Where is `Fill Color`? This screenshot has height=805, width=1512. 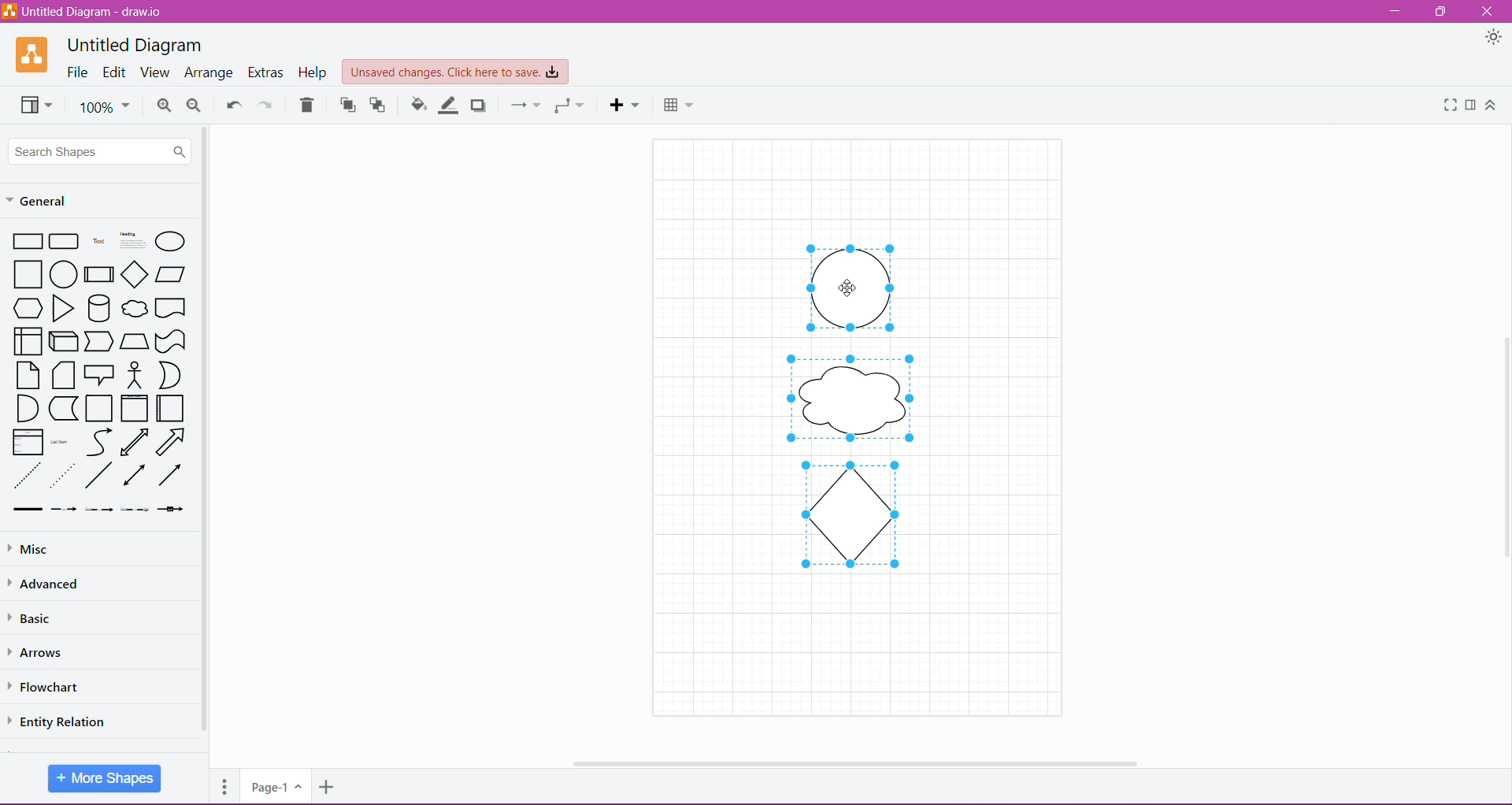
Fill Color is located at coordinates (419, 105).